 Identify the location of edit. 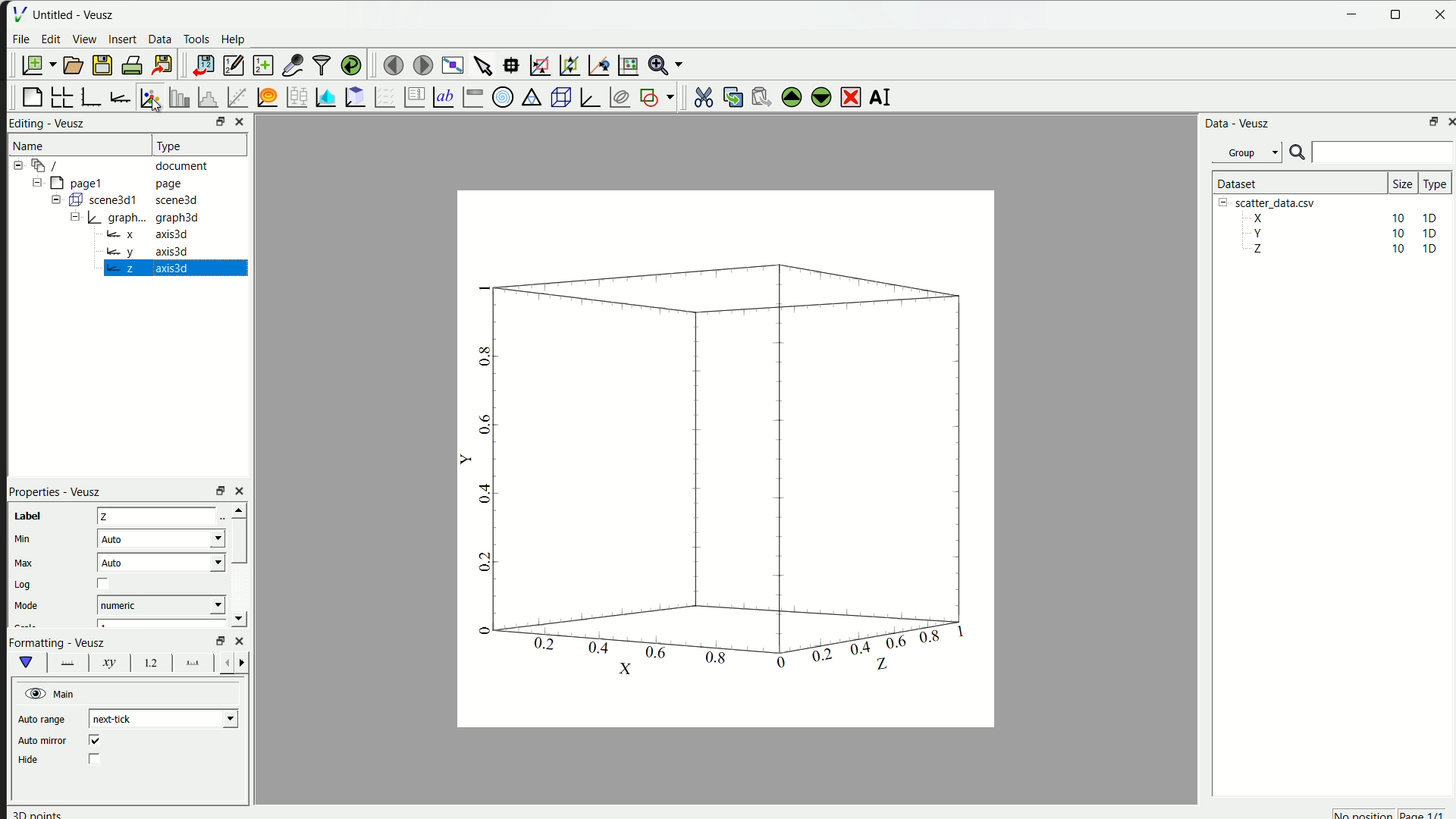
(50, 39).